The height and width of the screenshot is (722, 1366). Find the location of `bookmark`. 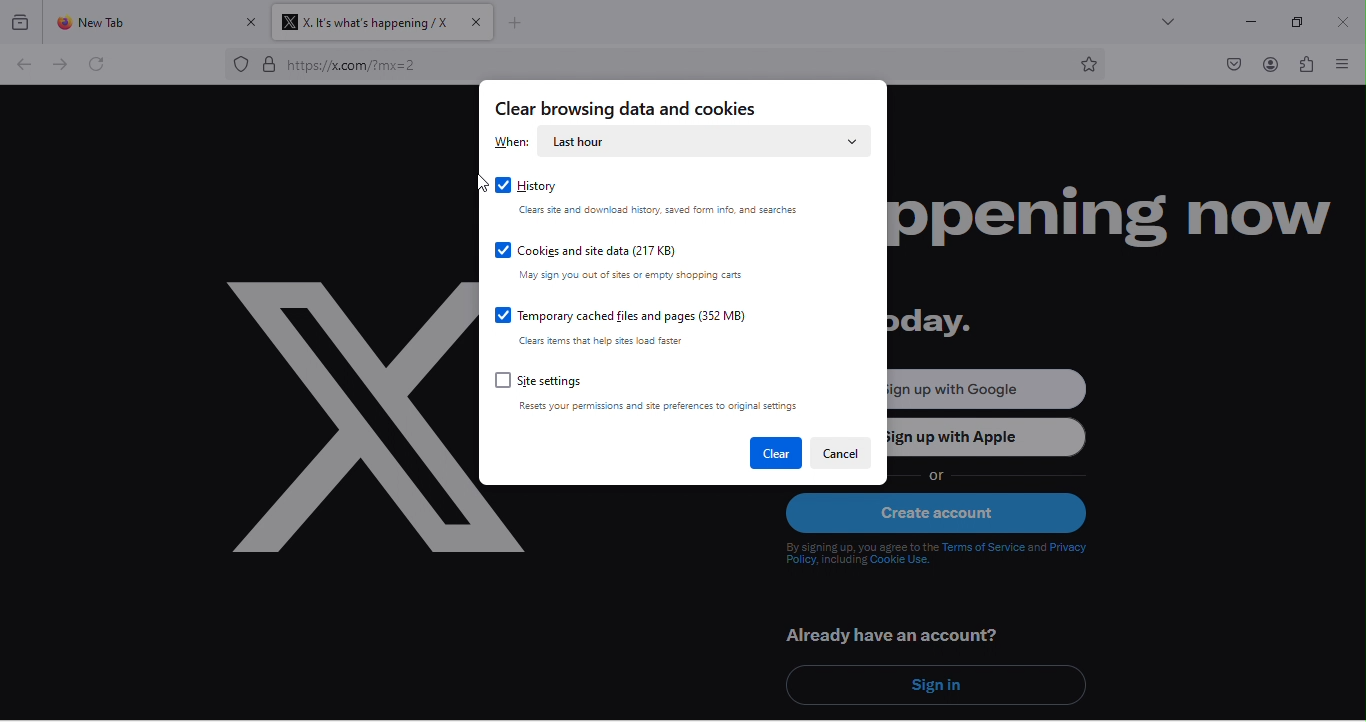

bookmark is located at coordinates (1079, 65).